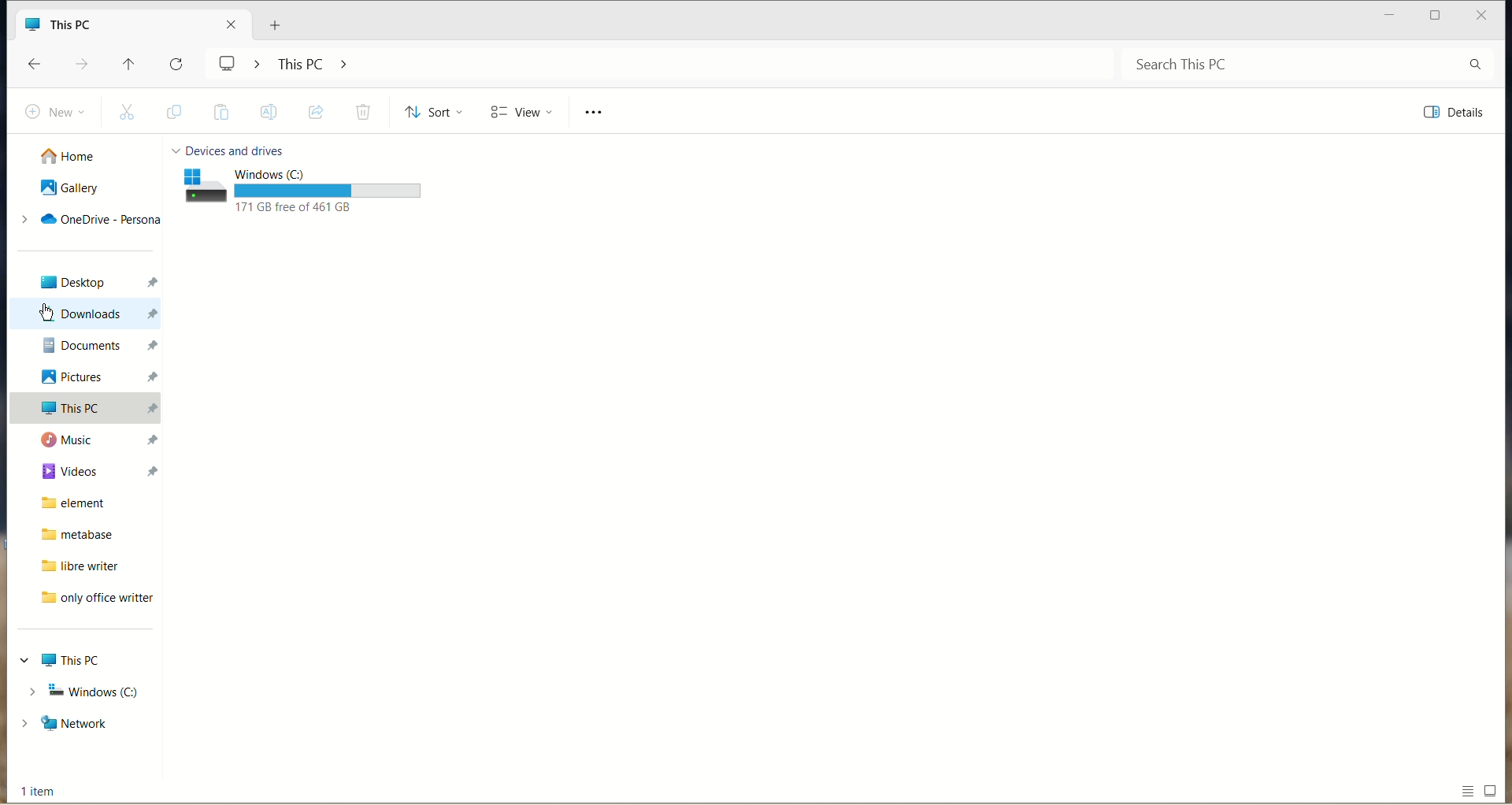 The height and width of the screenshot is (805, 1512). What do you see at coordinates (1470, 794) in the screenshot?
I see `display item details` at bounding box center [1470, 794].